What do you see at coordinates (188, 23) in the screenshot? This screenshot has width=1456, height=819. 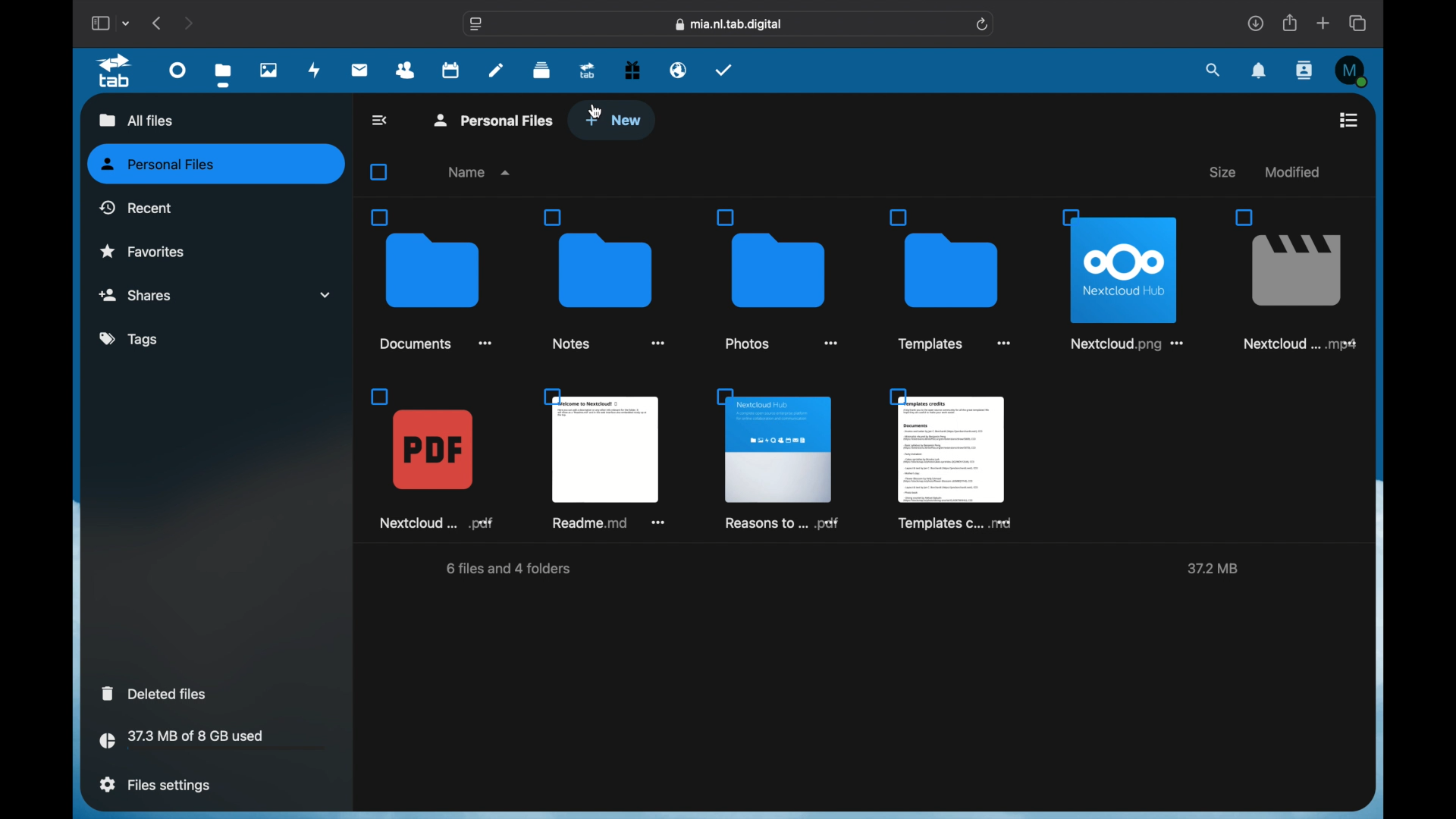 I see `next` at bounding box center [188, 23].